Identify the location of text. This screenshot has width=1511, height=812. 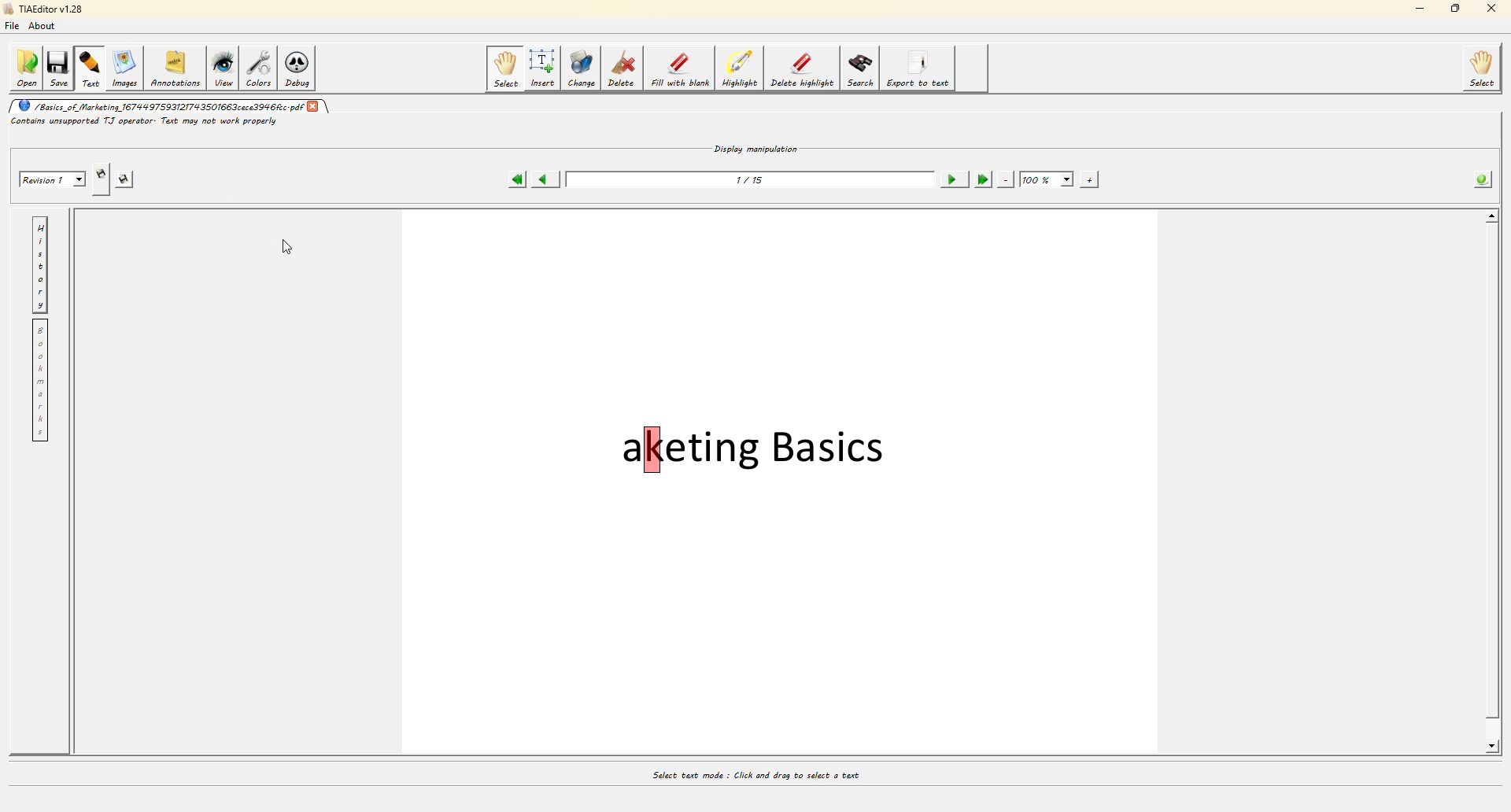
(91, 68).